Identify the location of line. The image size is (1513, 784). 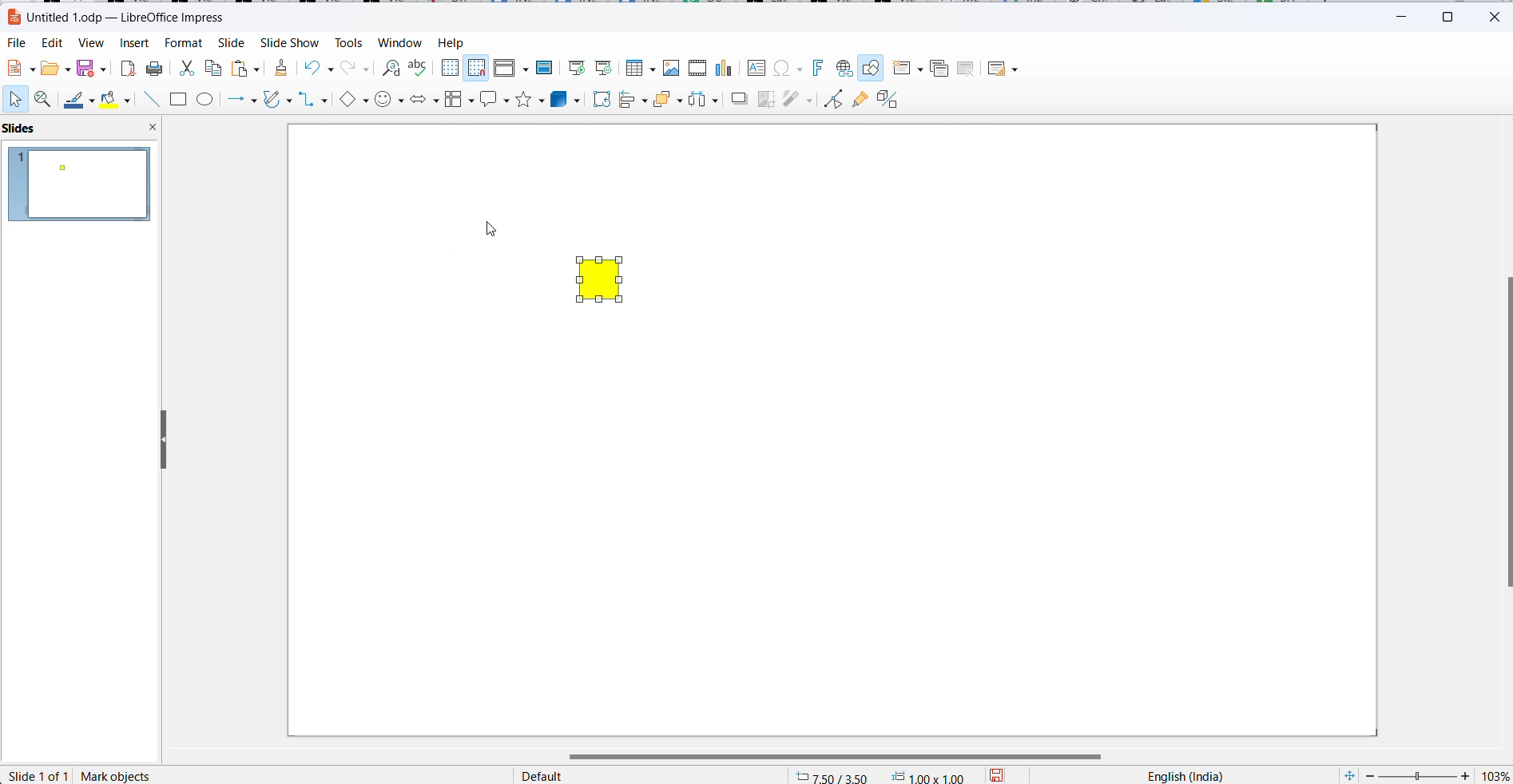
(153, 101).